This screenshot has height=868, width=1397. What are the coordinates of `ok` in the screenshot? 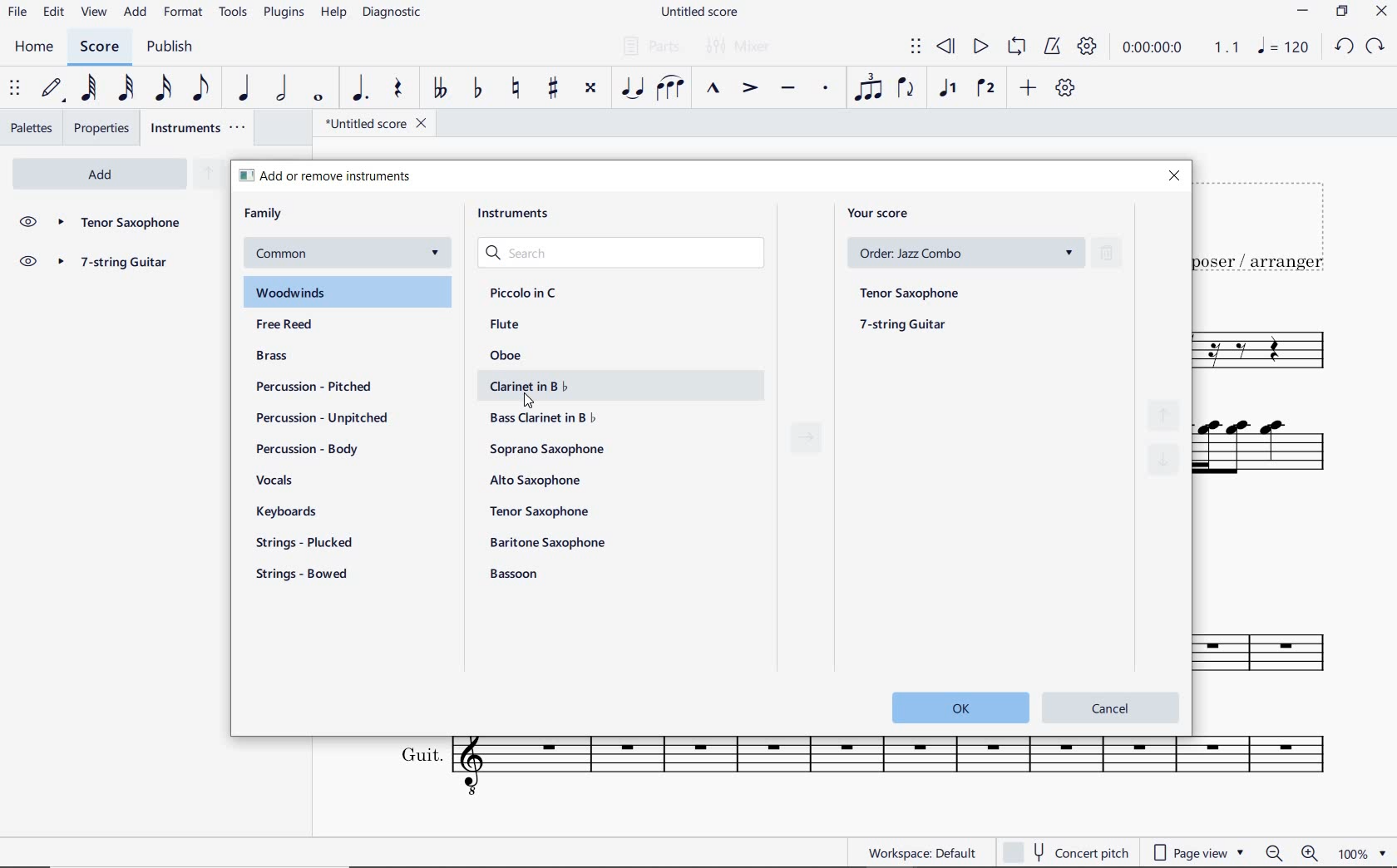 It's located at (955, 707).